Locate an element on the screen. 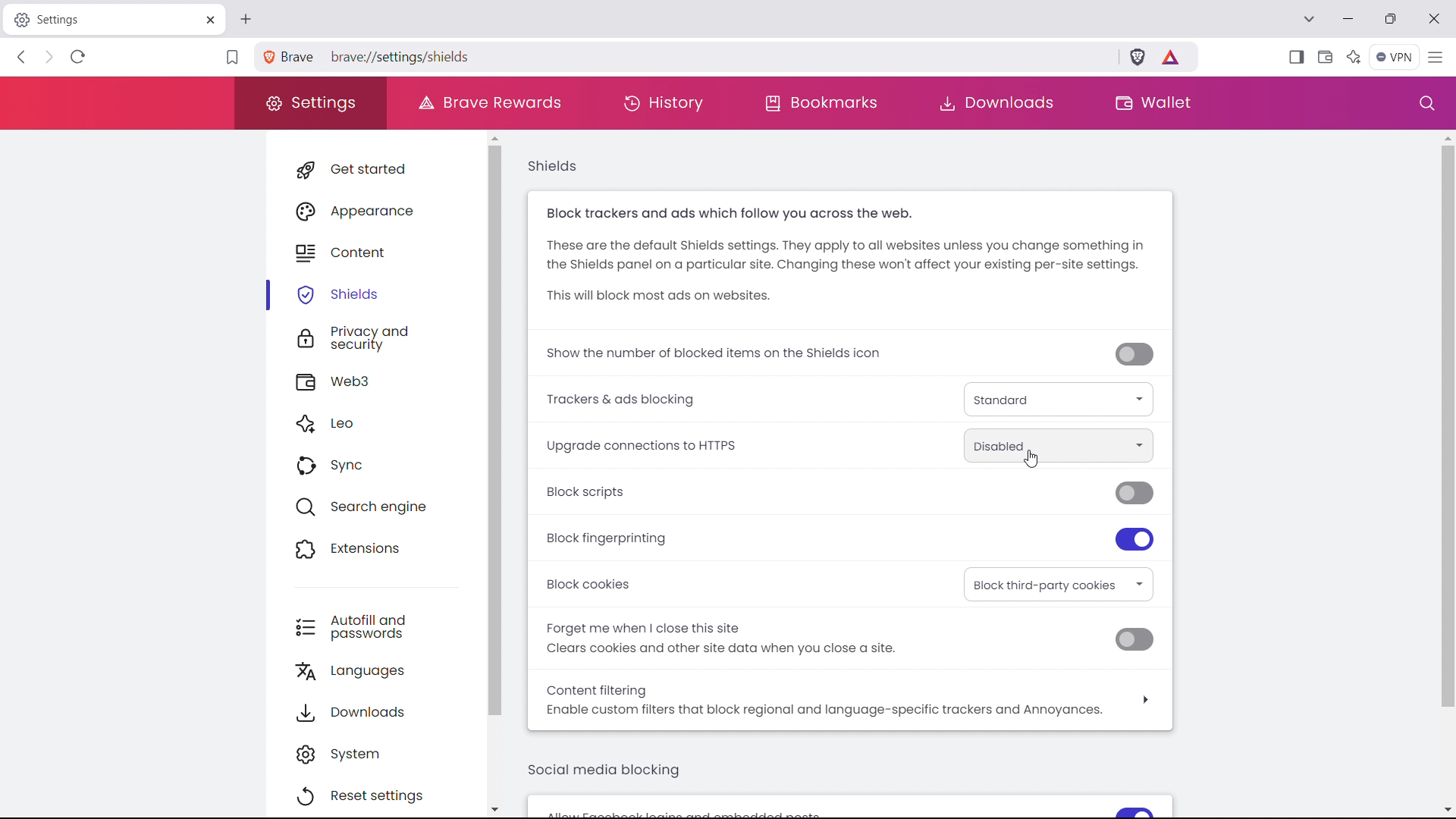 Image resolution: width=1456 pixels, height=819 pixels. brave rewards is located at coordinates (1172, 56).